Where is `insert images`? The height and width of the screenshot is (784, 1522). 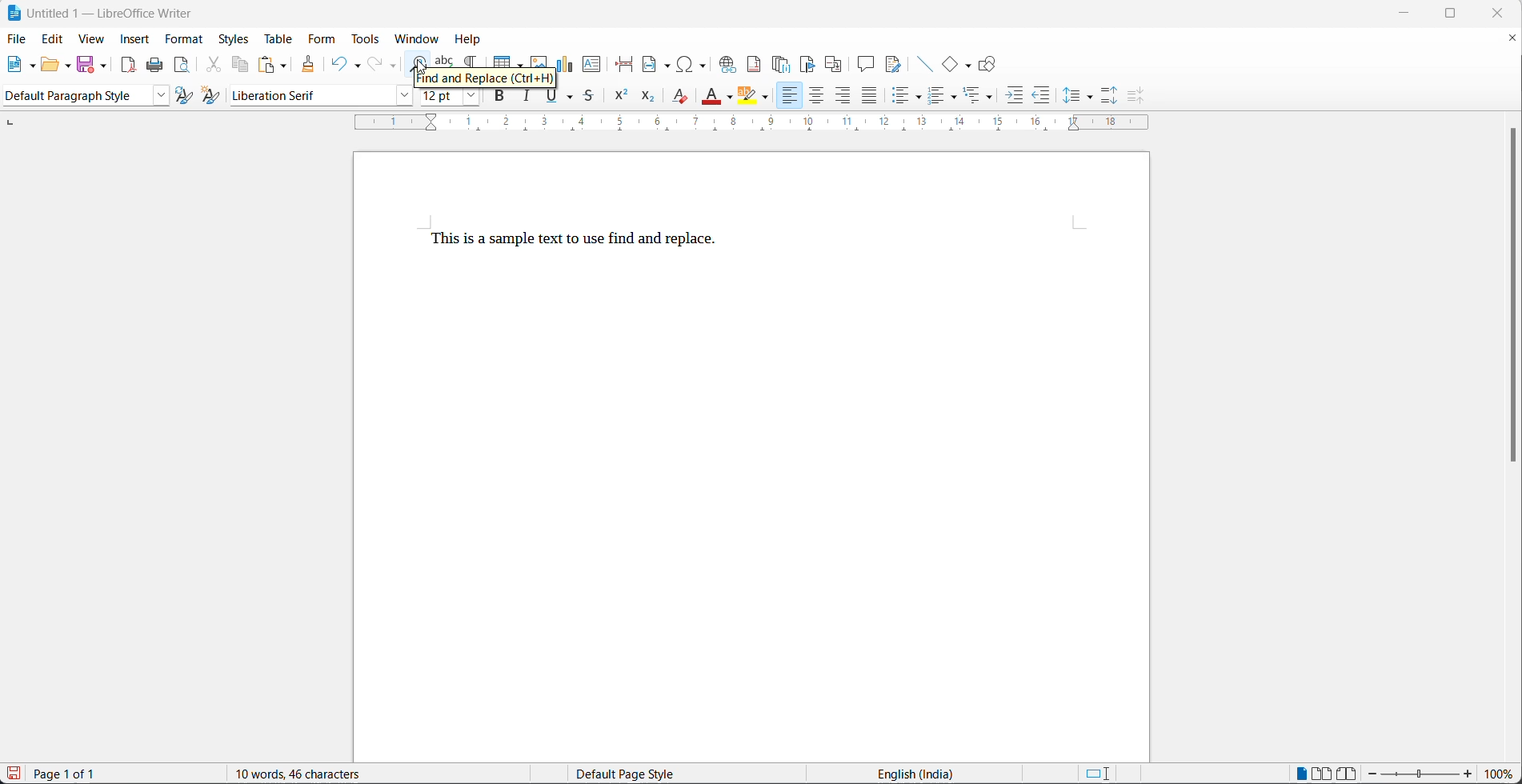
insert images is located at coordinates (540, 58).